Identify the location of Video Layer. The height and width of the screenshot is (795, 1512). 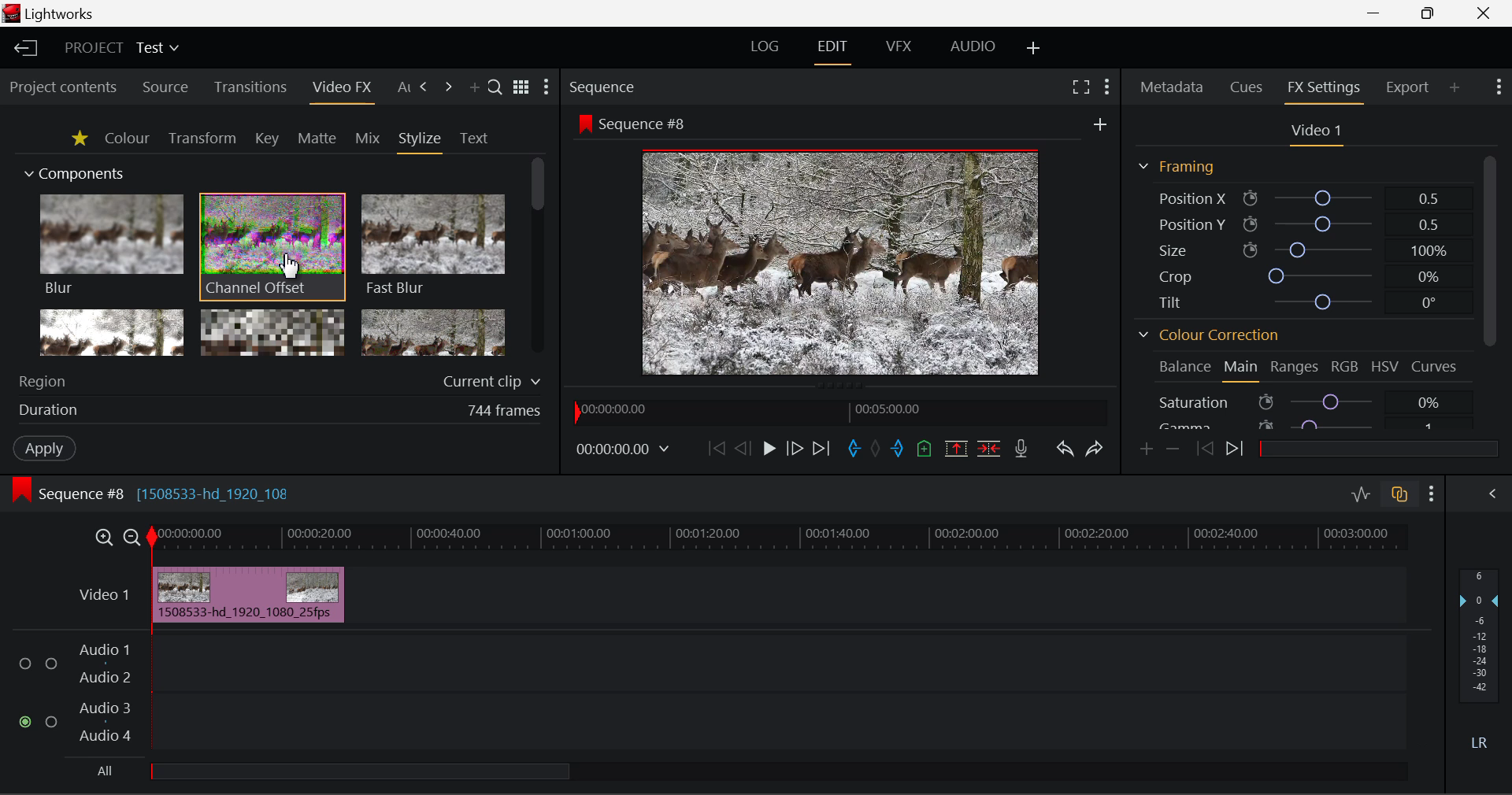
(106, 598).